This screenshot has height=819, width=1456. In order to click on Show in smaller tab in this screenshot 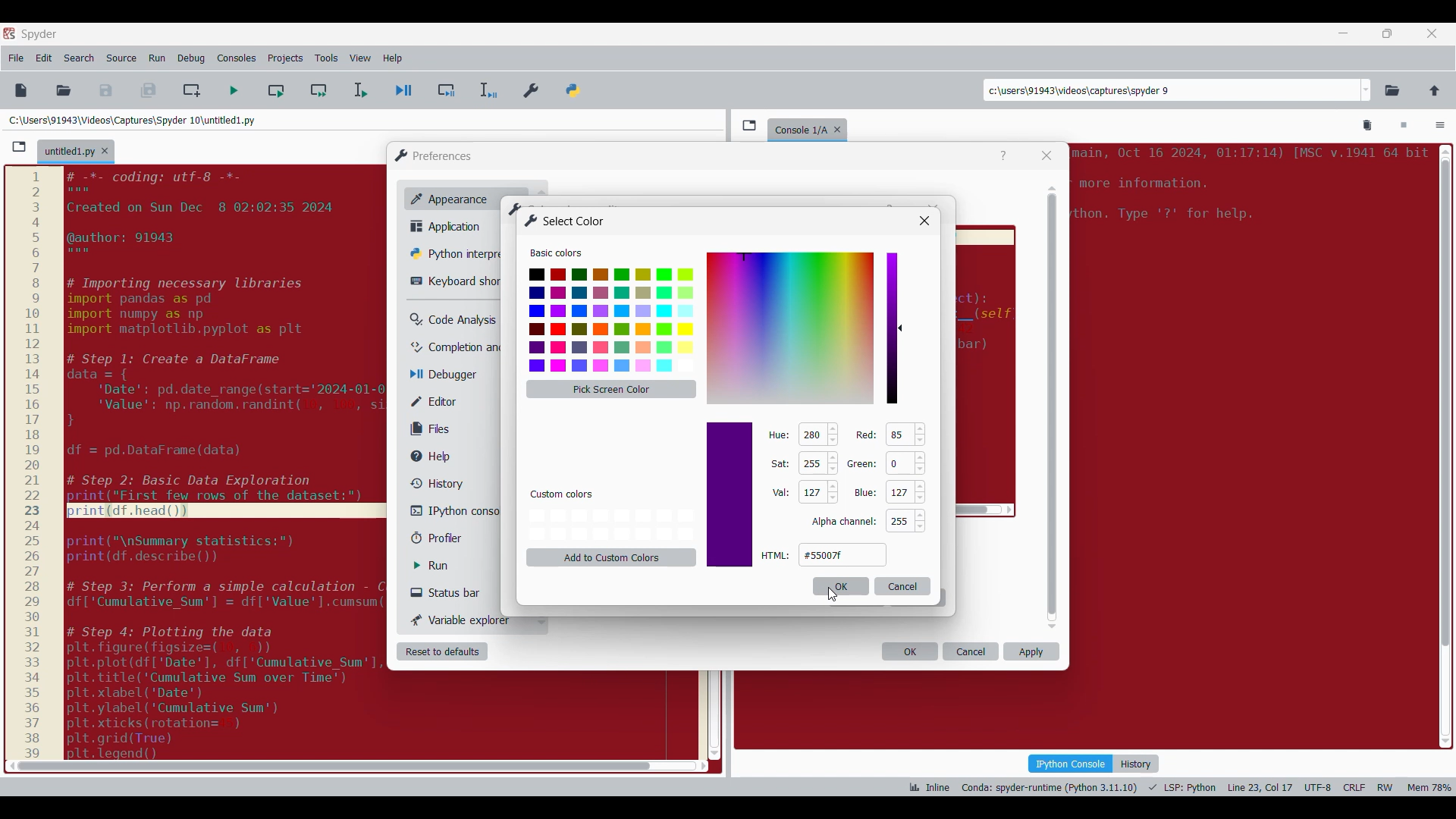, I will do `click(1387, 33)`.